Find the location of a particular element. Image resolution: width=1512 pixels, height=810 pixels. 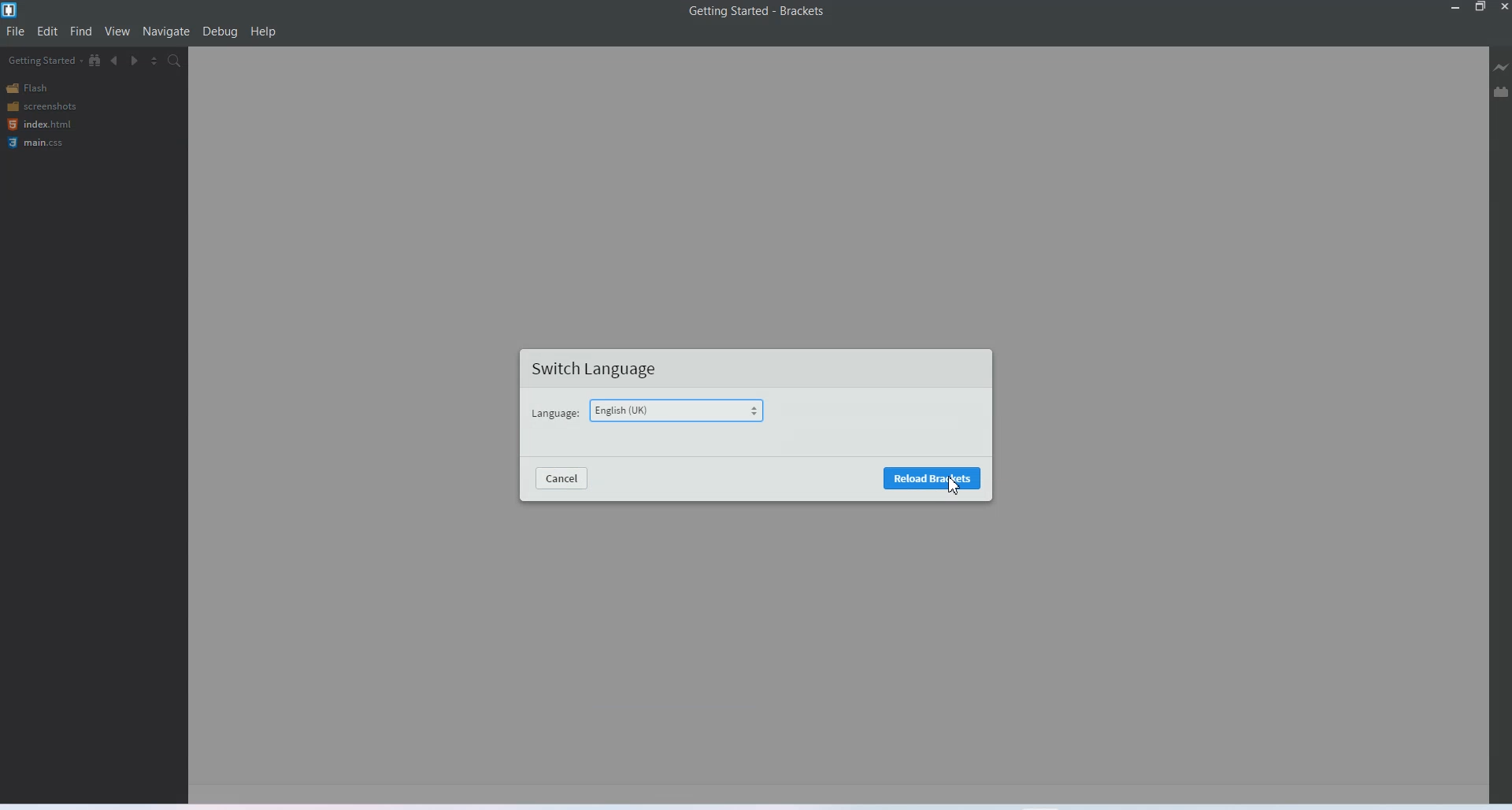

Gating started is located at coordinates (40, 61).